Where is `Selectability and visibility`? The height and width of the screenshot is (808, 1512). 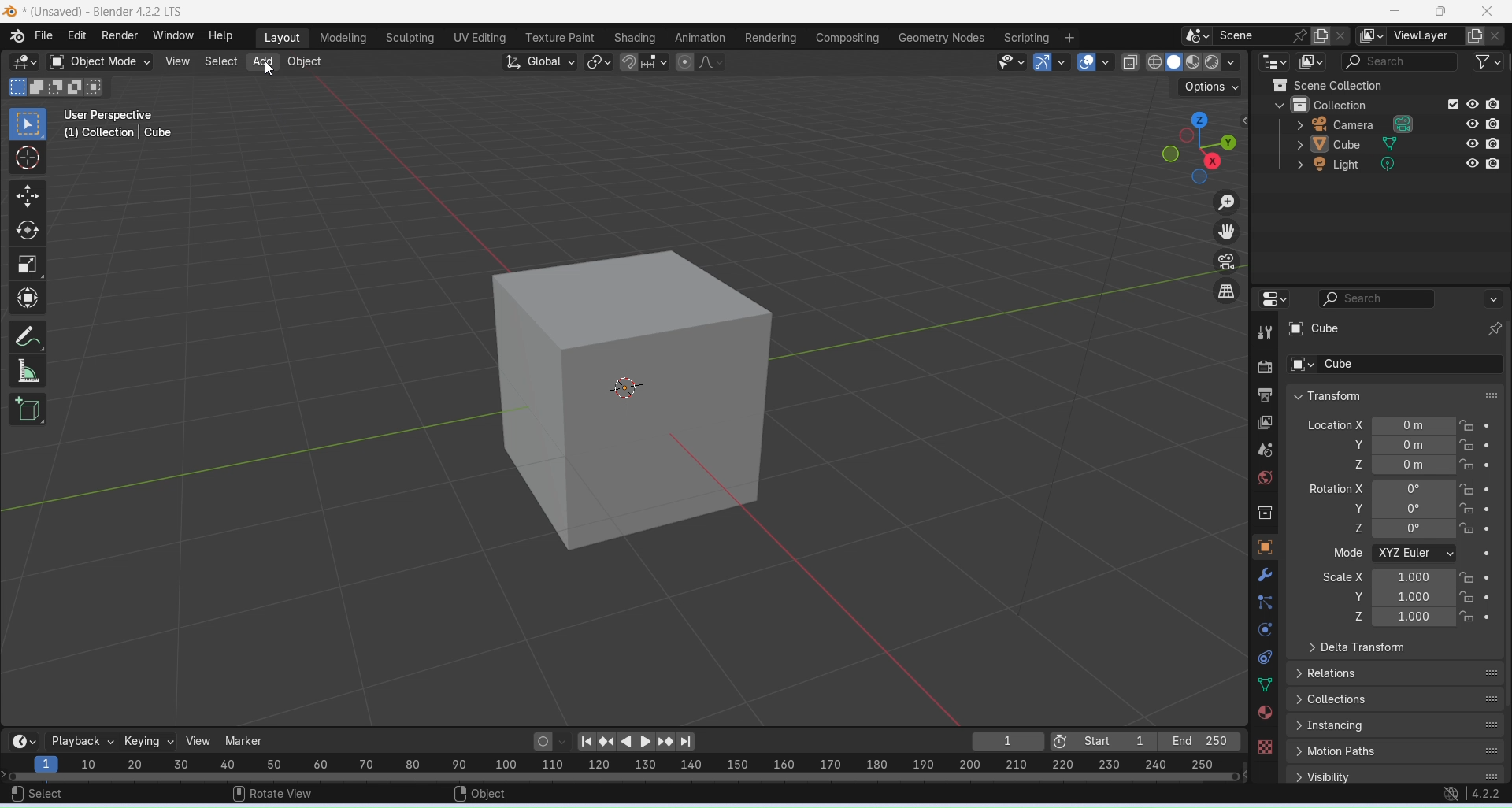 Selectability and visibility is located at coordinates (1011, 60).